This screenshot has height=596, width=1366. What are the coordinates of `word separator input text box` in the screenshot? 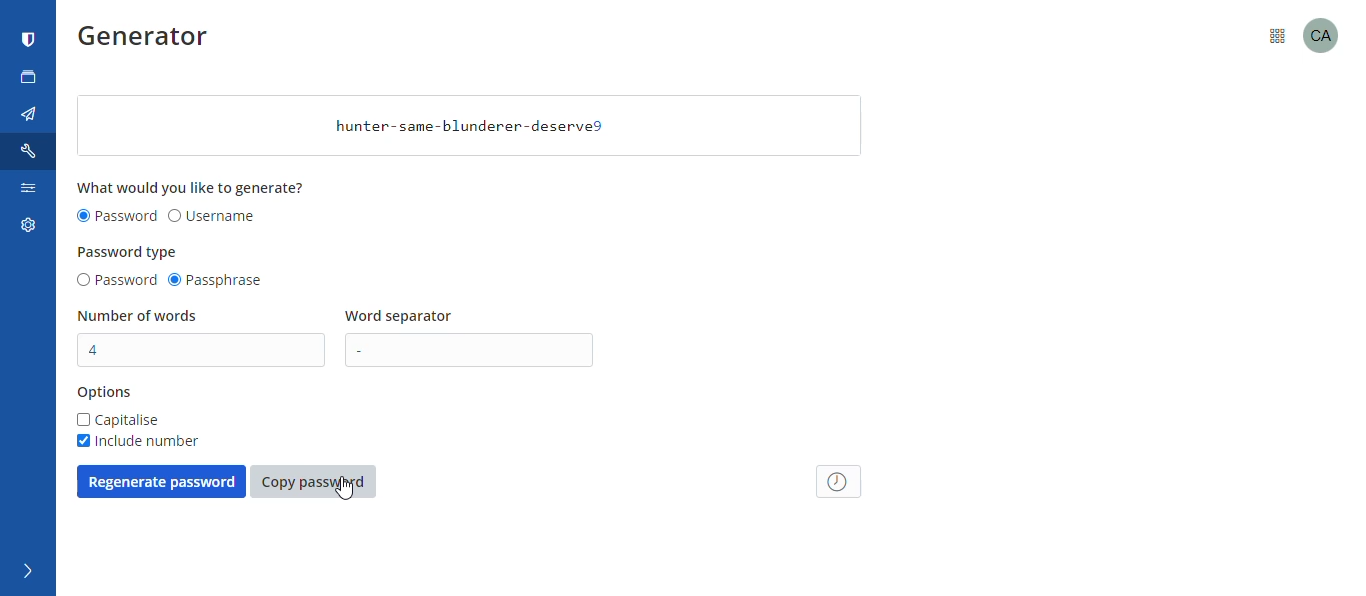 It's located at (475, 350).